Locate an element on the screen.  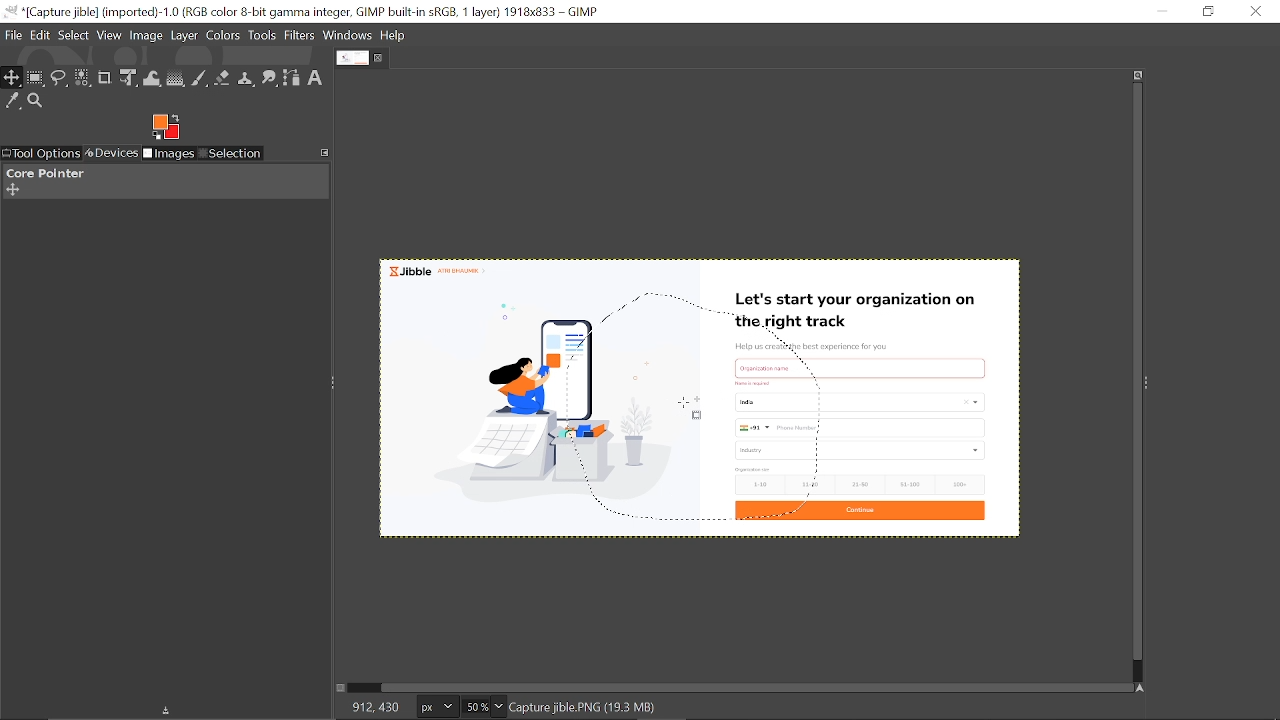
Selected part of the image  is located at coordinates (549, 409).